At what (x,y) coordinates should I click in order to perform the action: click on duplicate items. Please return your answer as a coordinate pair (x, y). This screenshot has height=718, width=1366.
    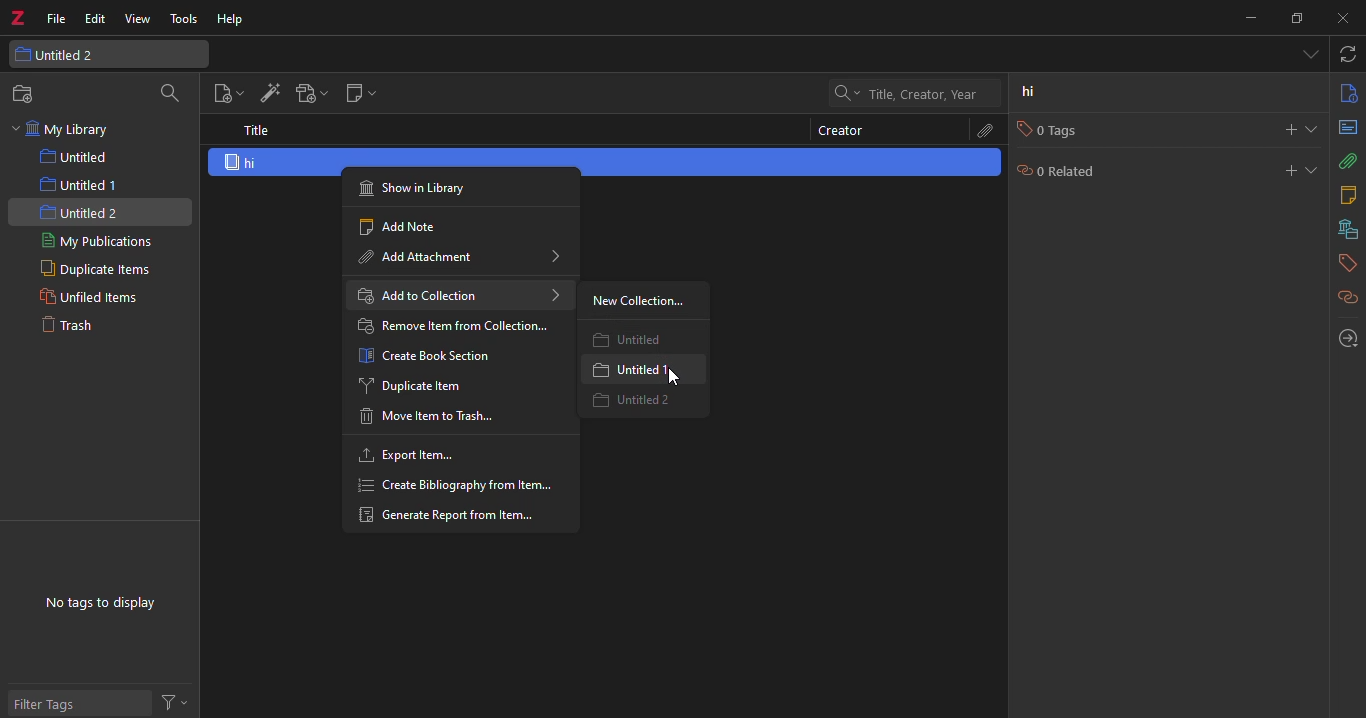
    Looking at the image, I should click on (91, 269).